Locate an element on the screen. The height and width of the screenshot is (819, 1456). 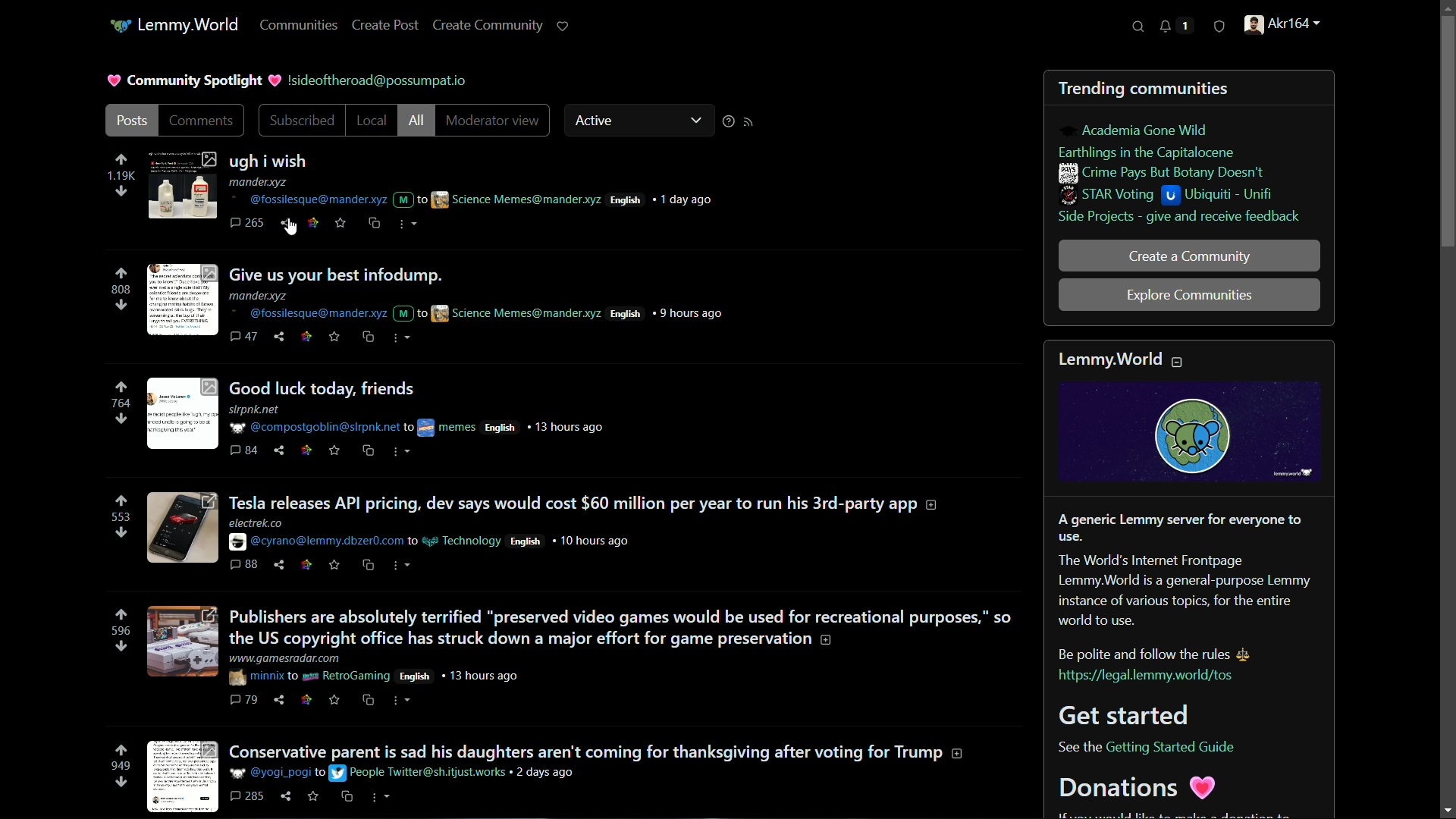
553 is located at coordinates (118, 517).